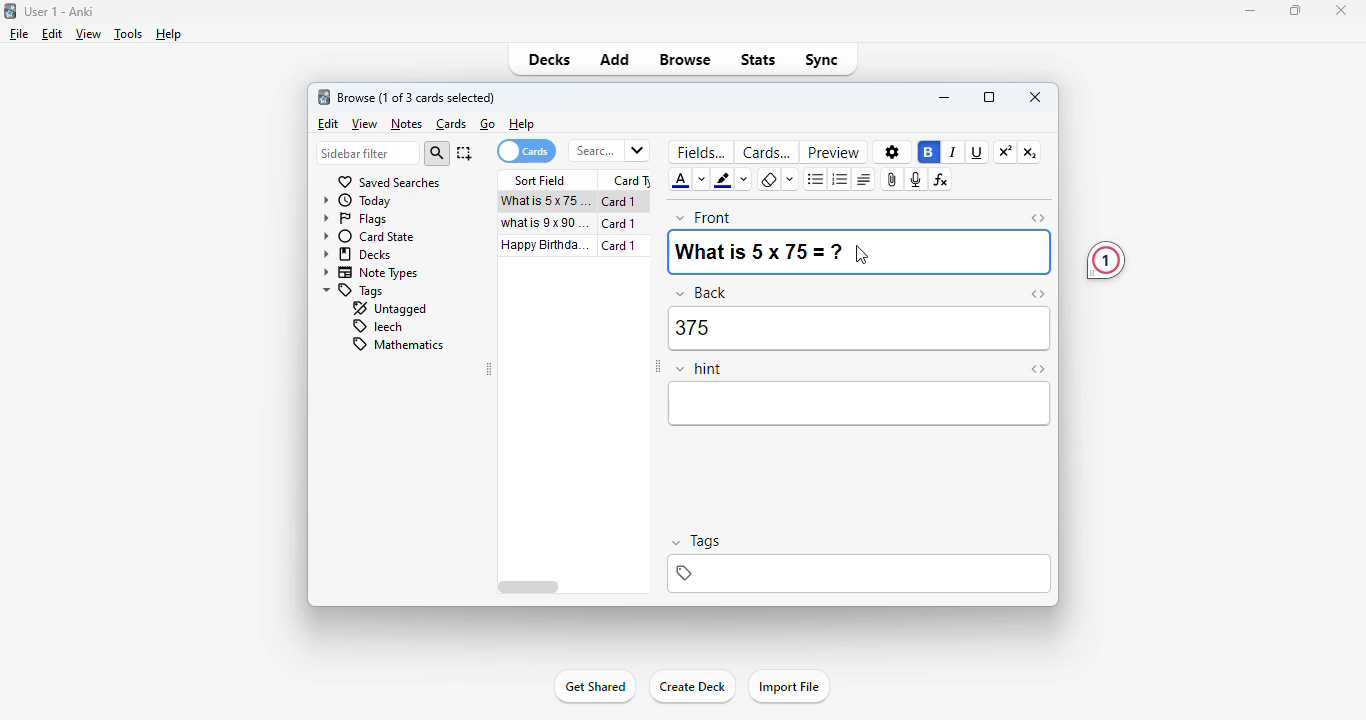 This screenshot has height=720, width=1366. I want to click on help, so click(169, 35).